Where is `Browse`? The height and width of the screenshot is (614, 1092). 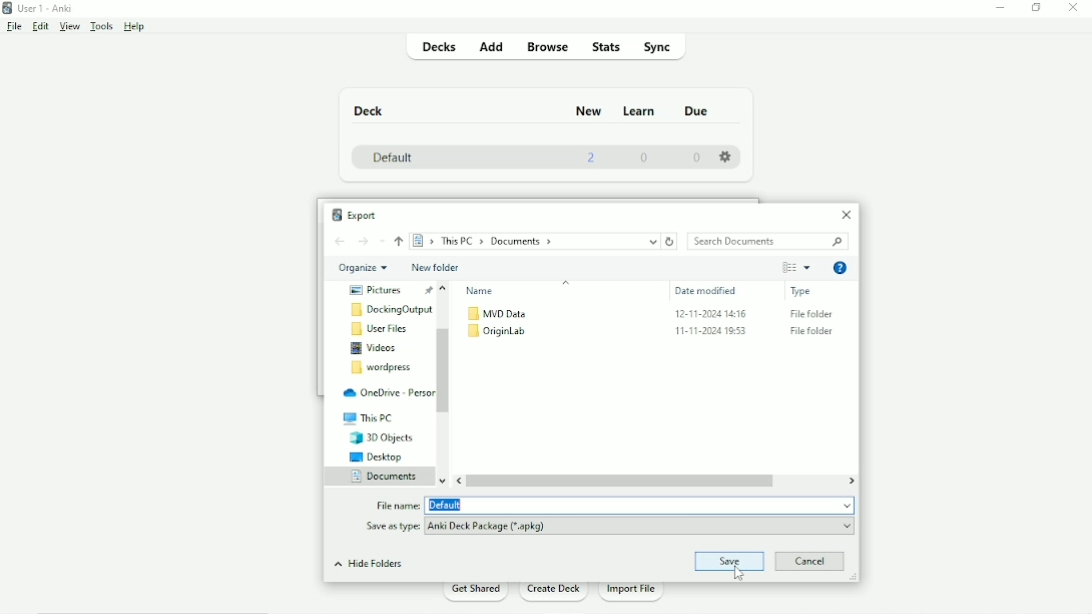 Browse is located at coordinates (544, 46).